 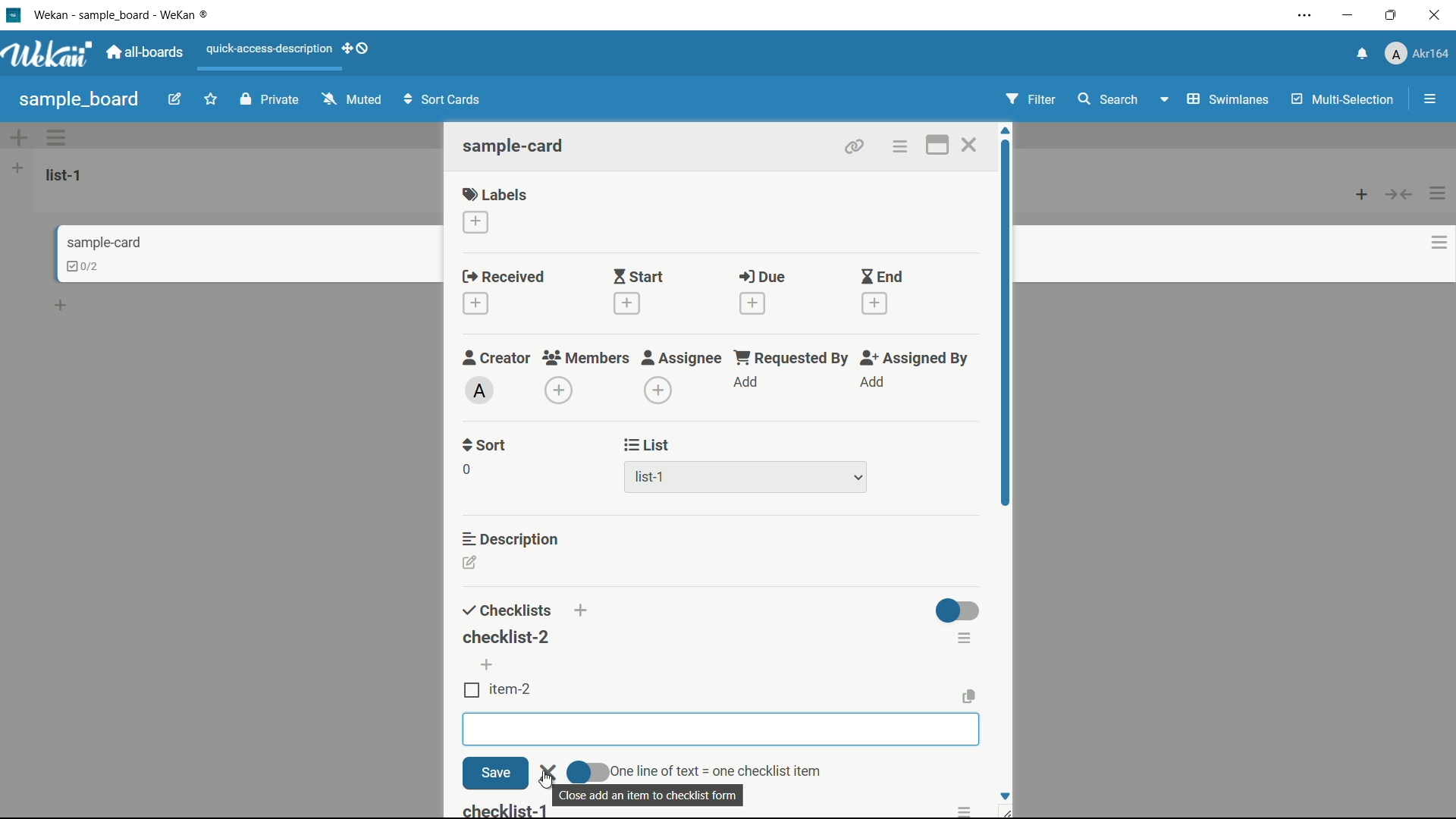 I want to click on notifications, so click(x=1360, y=52).